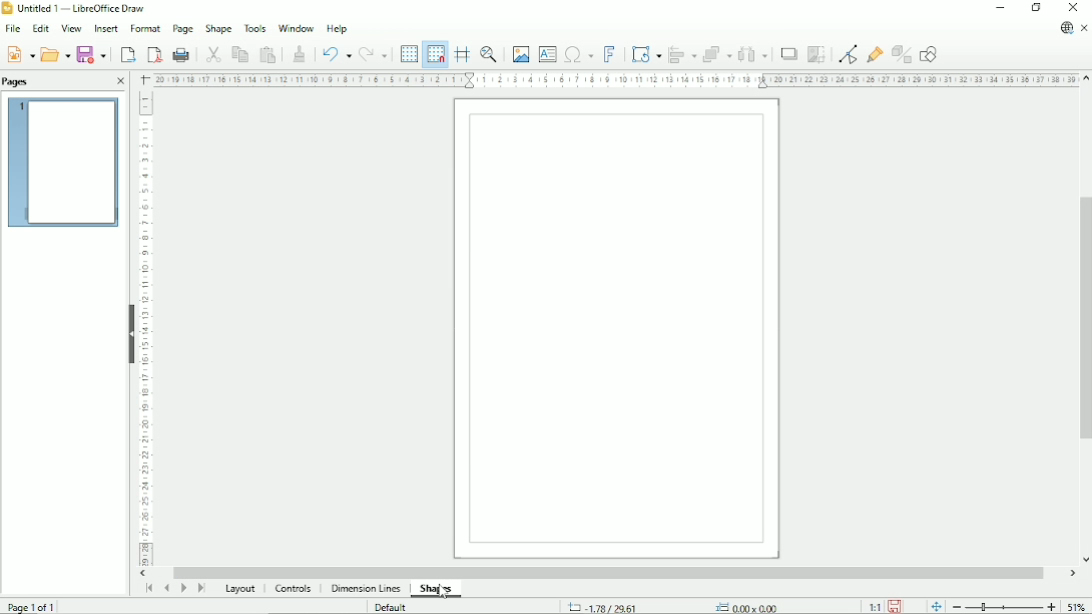 The width and height of the screenshot is (1092, 614). What do you see at coordinates (145, 573) in the screenshot?
I see `Horizontal scroll button` at bounding box center [145, 573].